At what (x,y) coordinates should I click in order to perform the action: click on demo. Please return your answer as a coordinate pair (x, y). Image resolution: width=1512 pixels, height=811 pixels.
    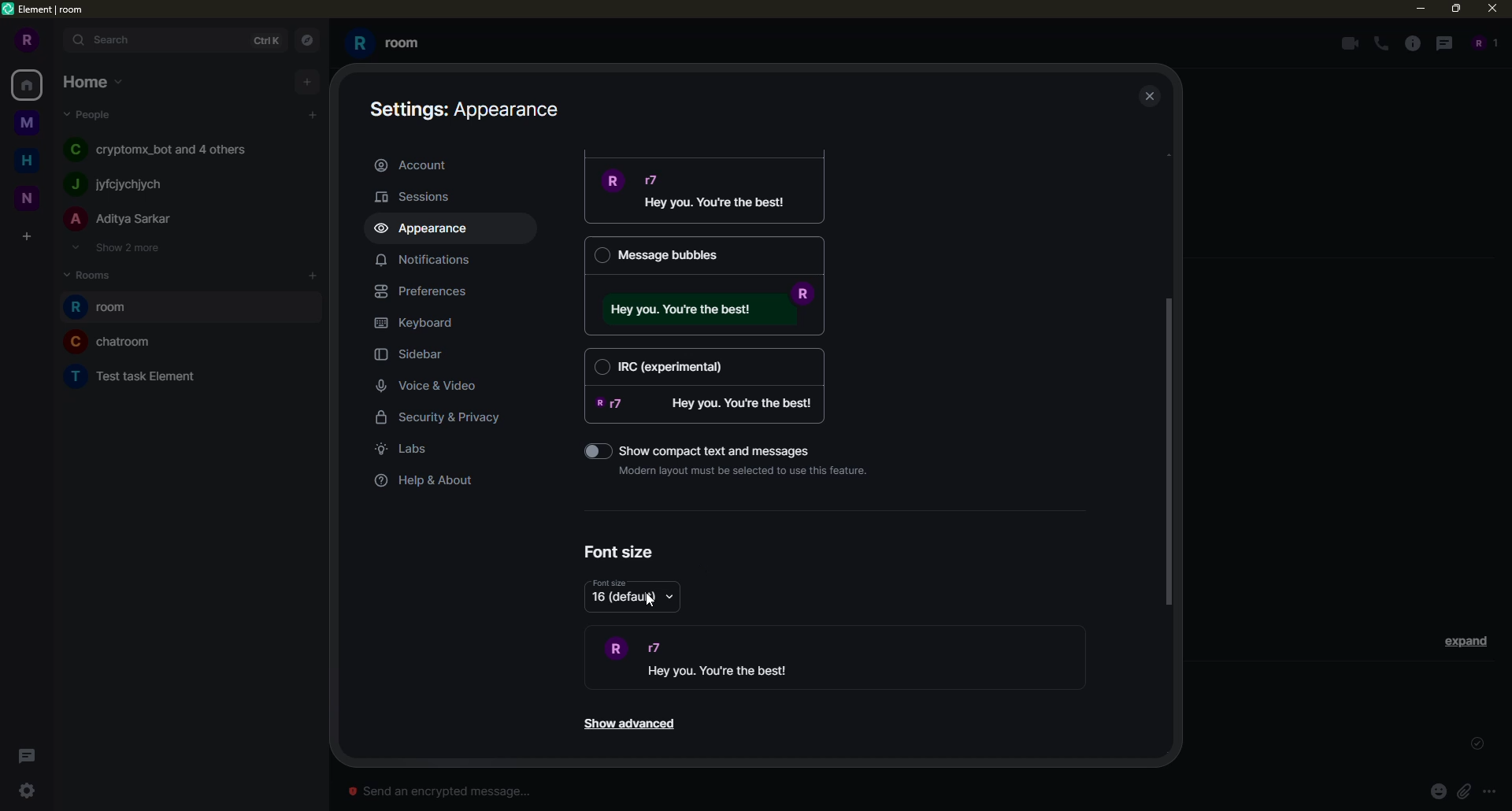
    Looking at the image, I should click on (735, 659).